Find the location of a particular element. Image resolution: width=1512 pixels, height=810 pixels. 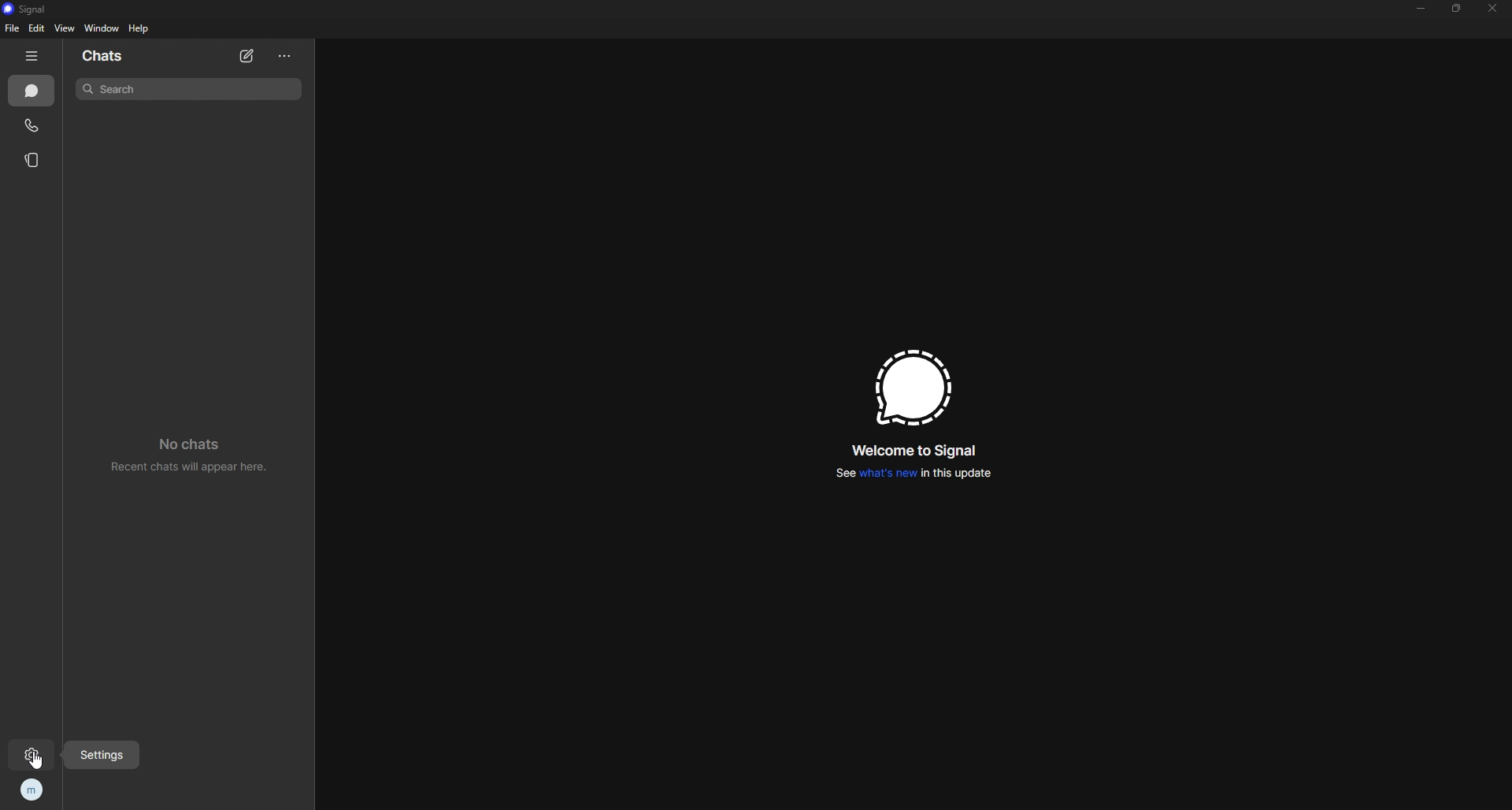

chats is located at coordinates (128, 54).